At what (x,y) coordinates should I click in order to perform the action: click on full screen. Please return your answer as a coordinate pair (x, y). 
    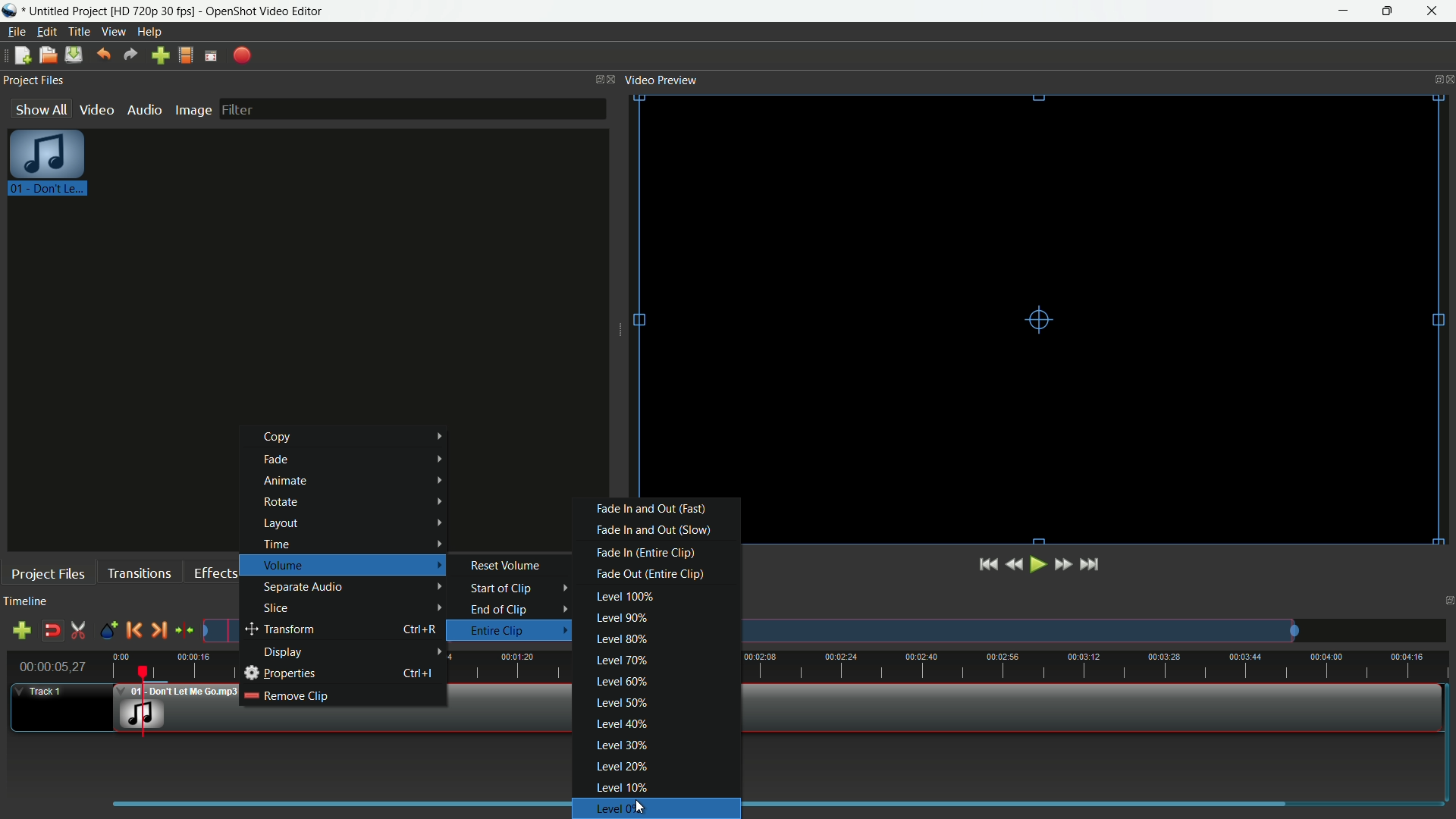
    Looking at the image, I should click on (212, 55).